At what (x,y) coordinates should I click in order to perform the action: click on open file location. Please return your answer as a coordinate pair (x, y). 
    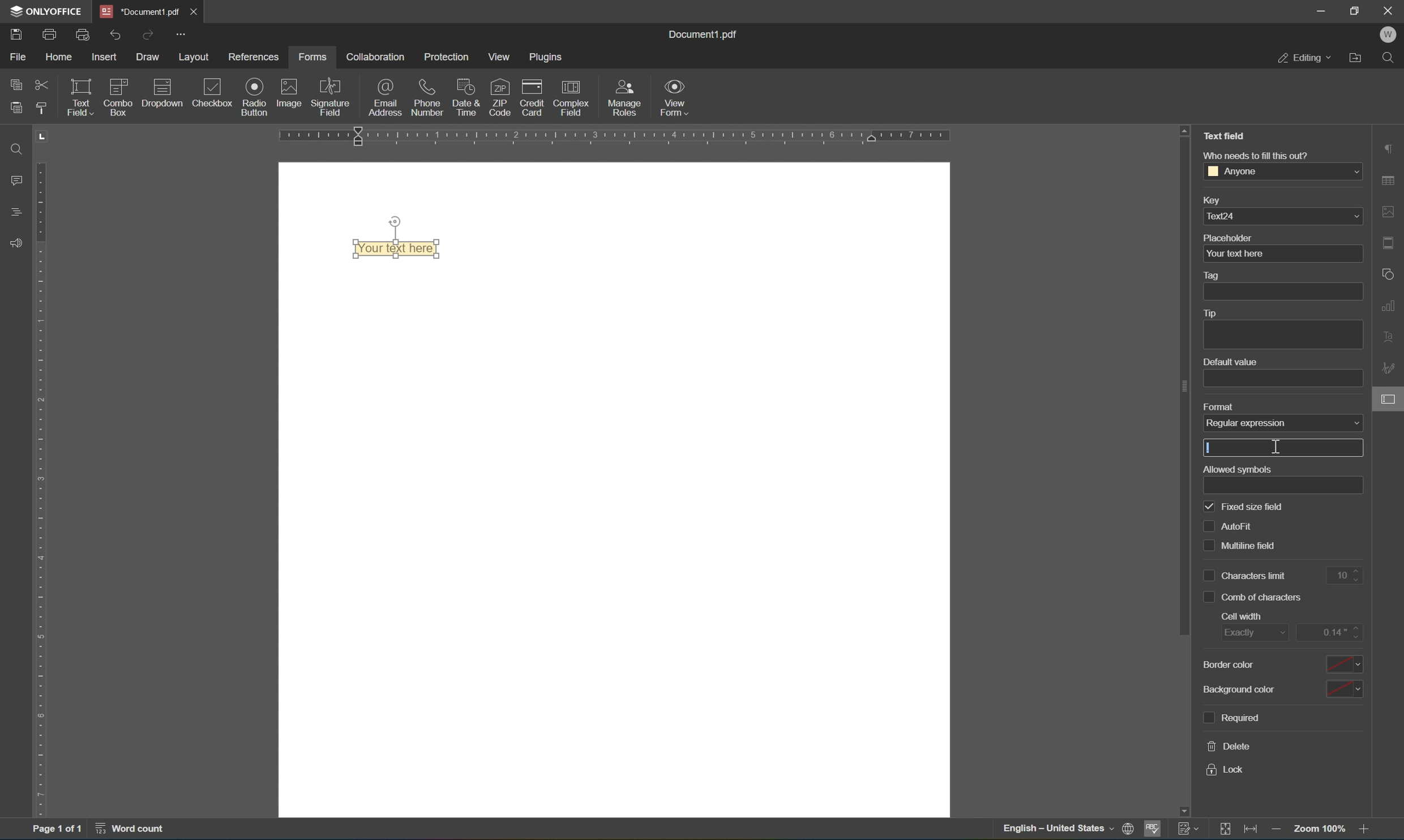
    Looking at the image, I should click on (1359, 57).